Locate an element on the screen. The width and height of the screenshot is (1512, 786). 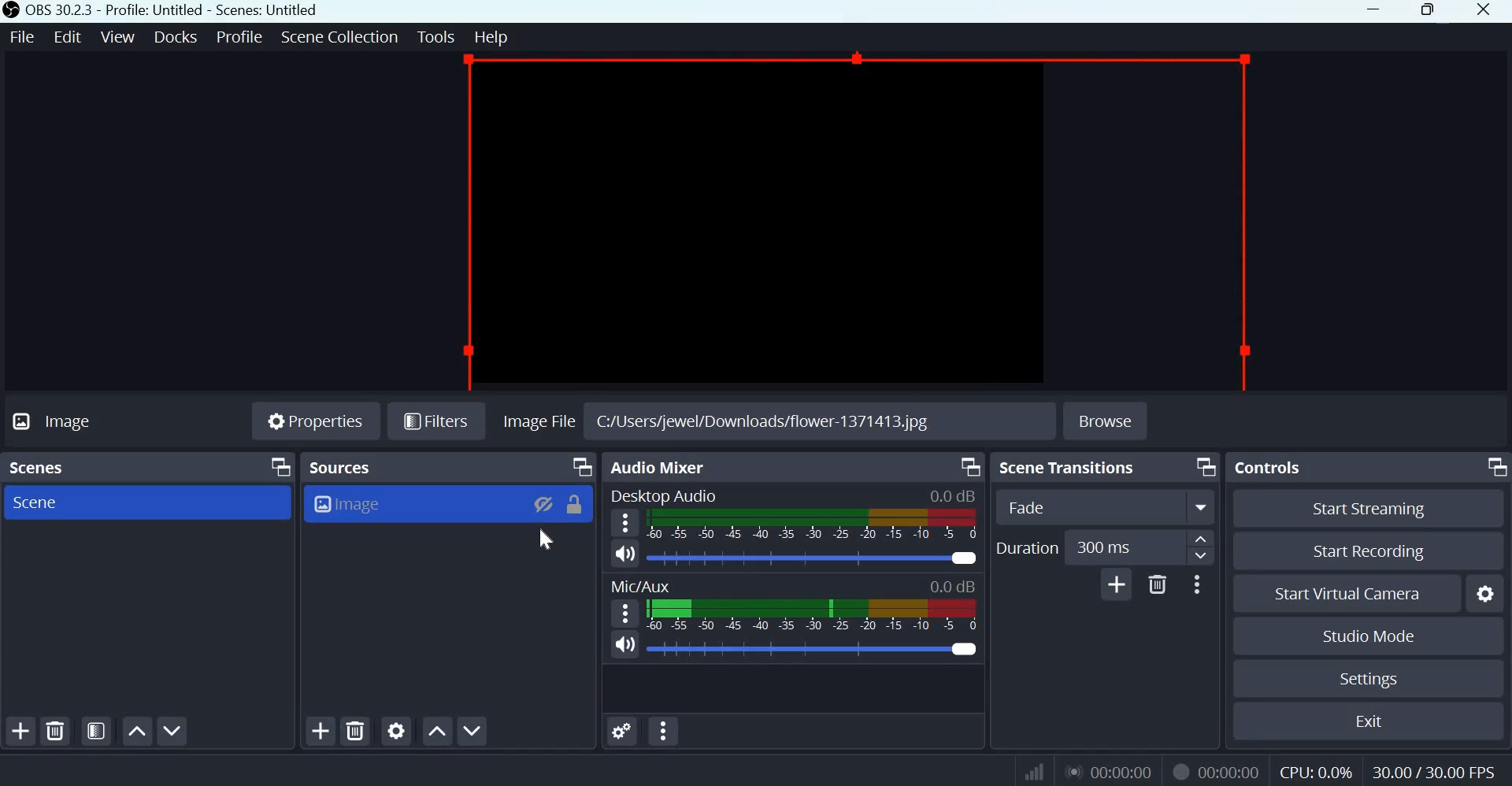
Audio Level Indicator is located at coordinates (953, 586).